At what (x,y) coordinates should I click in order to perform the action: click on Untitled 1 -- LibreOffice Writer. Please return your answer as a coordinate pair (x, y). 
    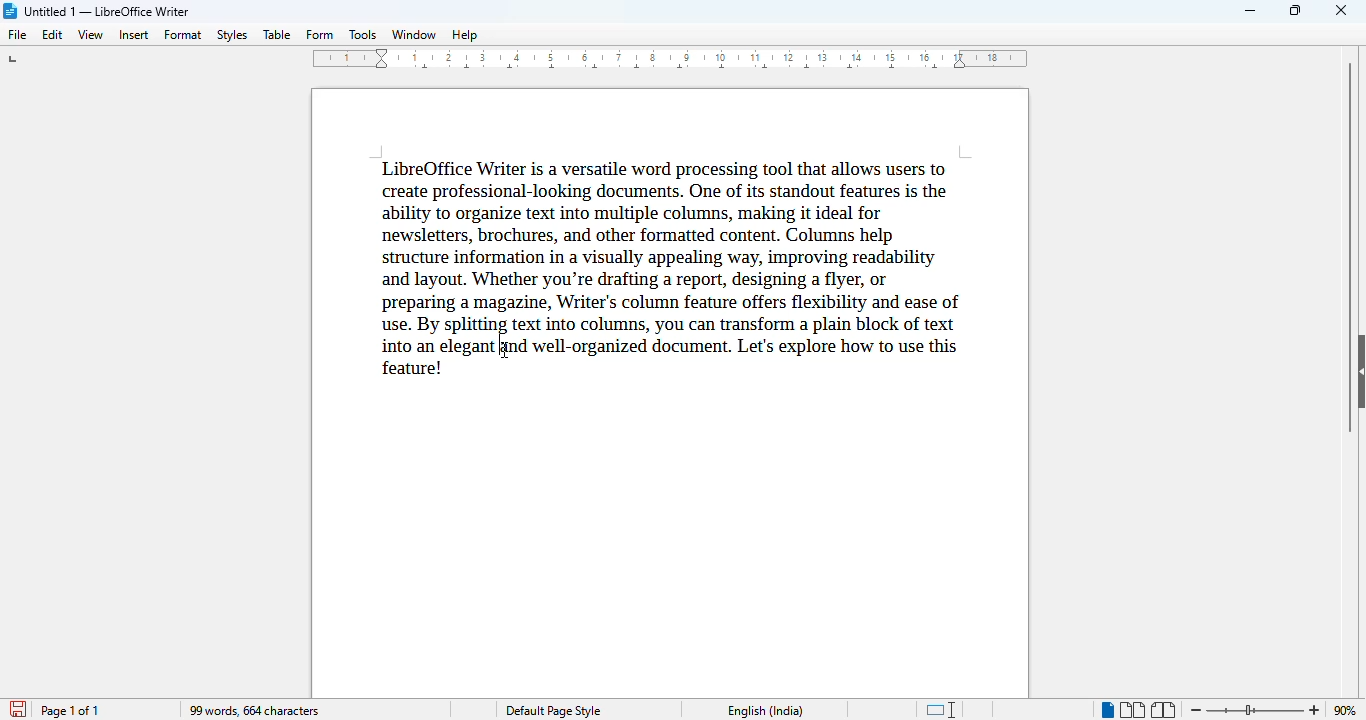
    Looking at the image, I should click on (110, 10).